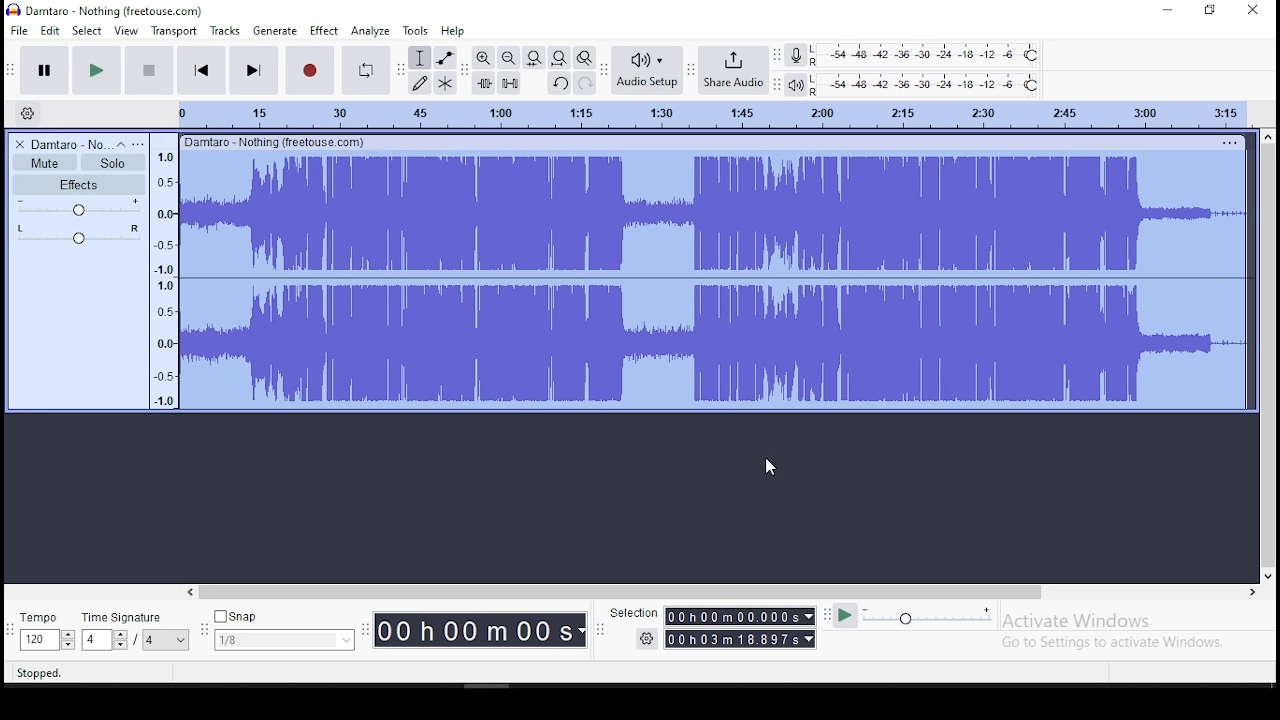 This screenshot has height=720, width=1280. I want to click on stop, so click(151, 70).